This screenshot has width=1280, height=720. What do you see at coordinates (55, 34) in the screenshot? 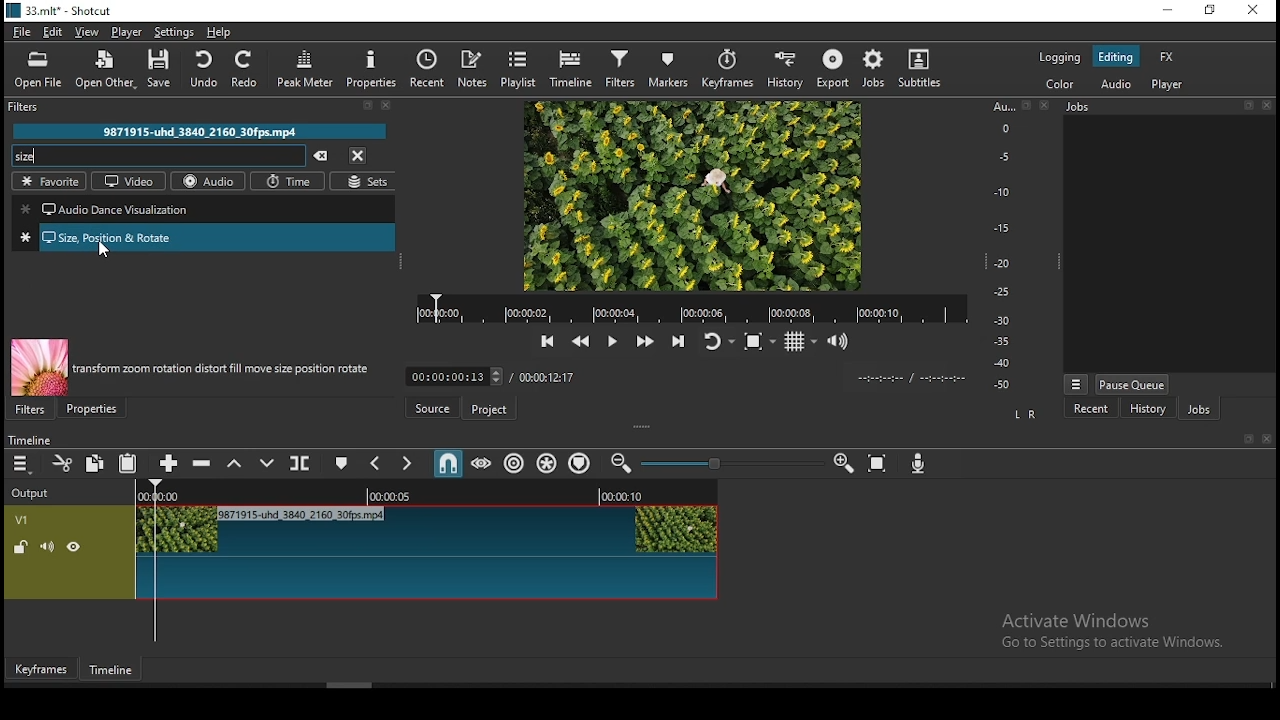
I see `edit` at bounding box center [55, 34].